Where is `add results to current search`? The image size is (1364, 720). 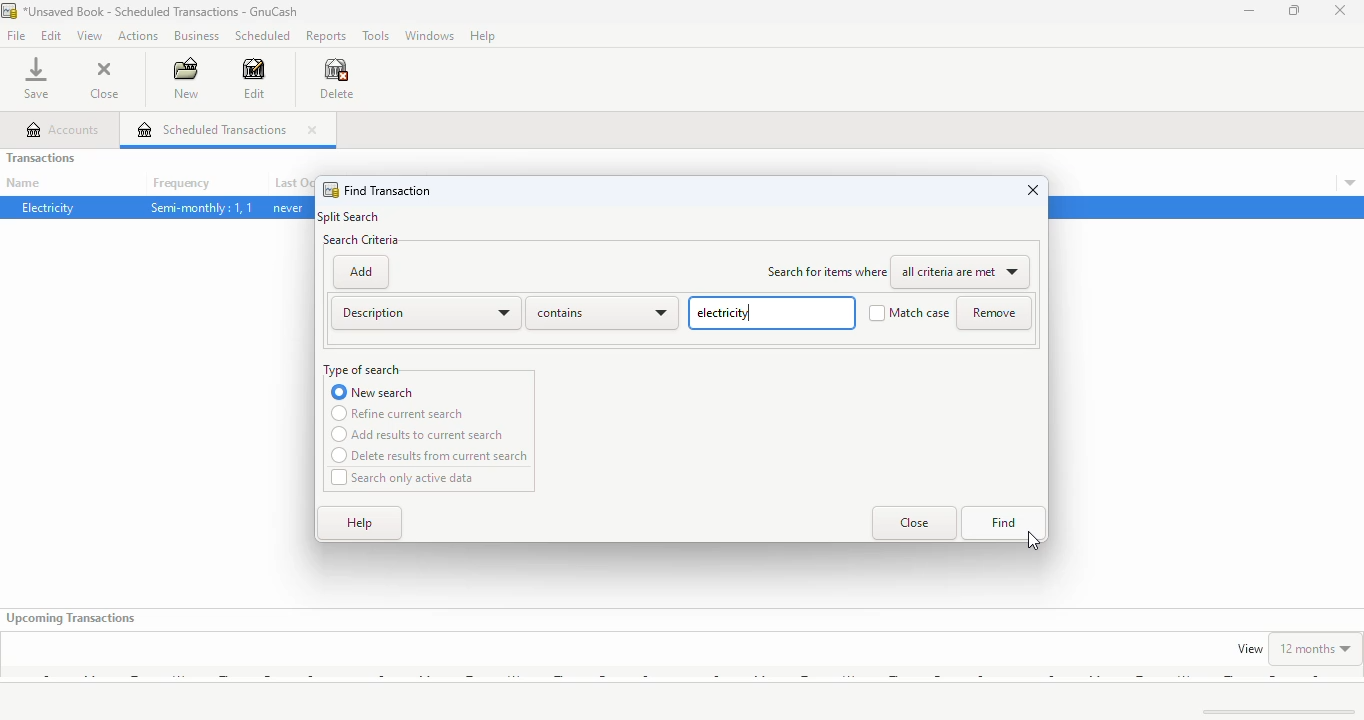 add results to current search is located at coordinates (418, 435).